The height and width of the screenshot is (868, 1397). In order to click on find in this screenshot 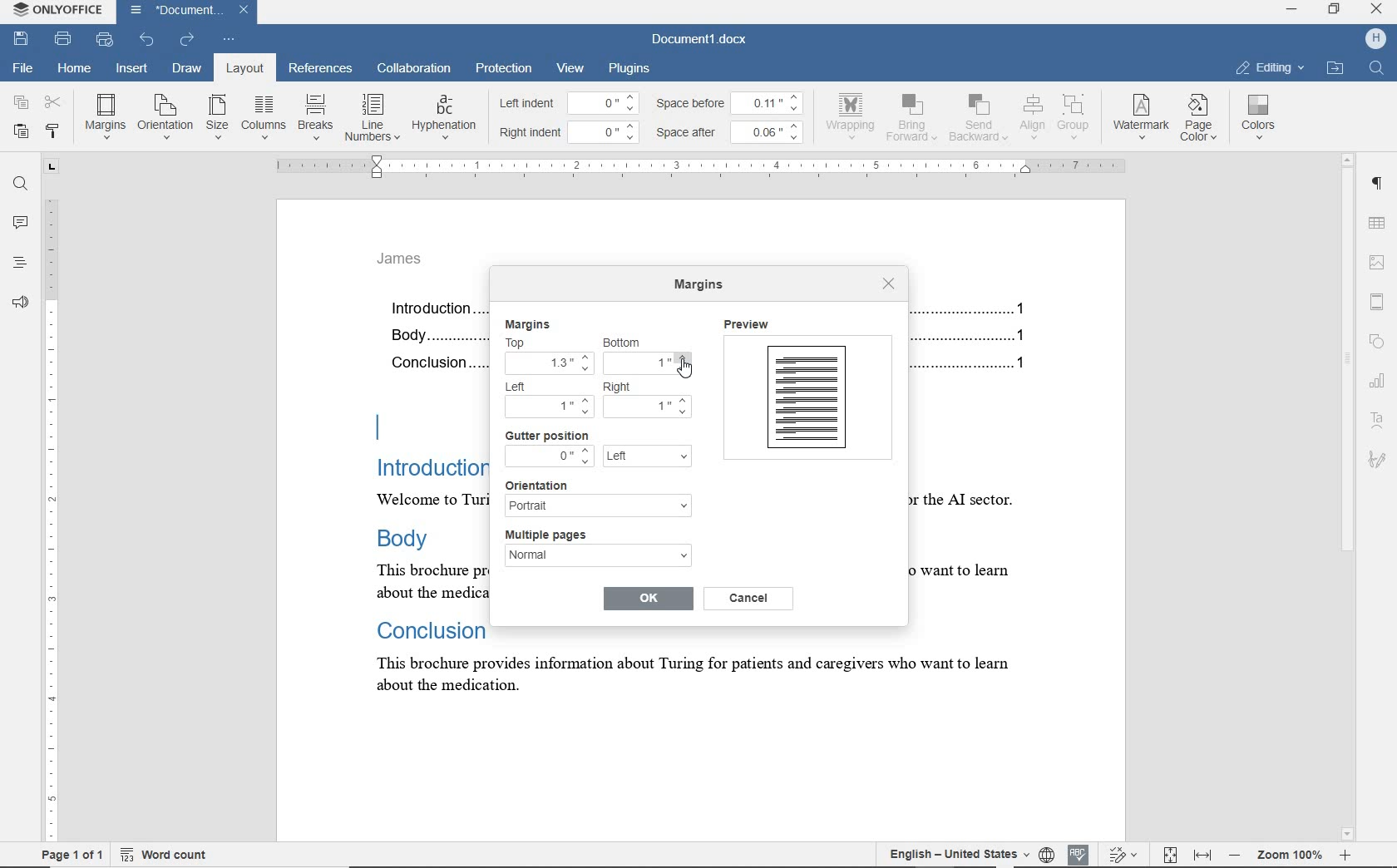, I will do `click(21, 186)`.